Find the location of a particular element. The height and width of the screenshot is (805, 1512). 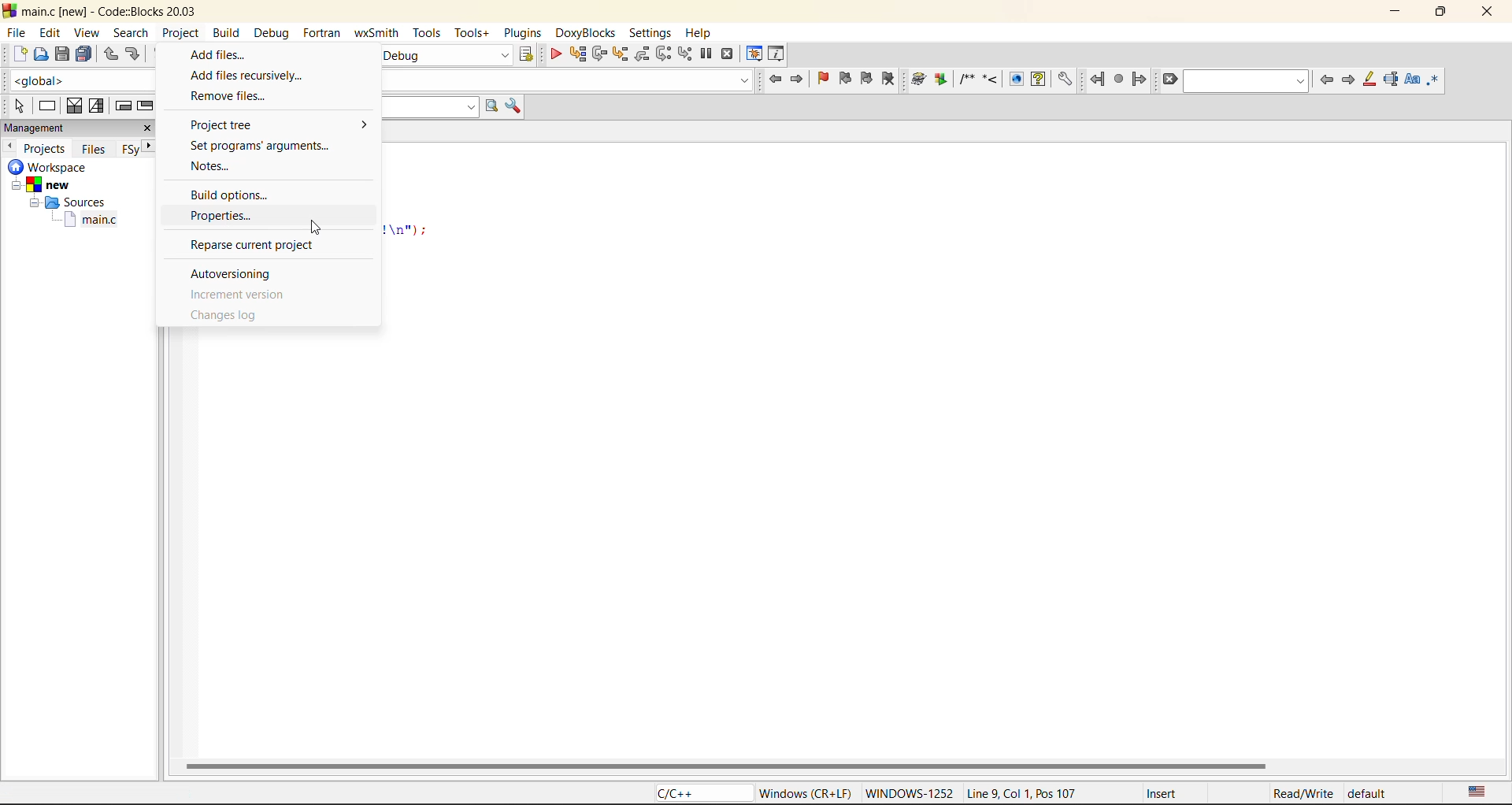

cursor is located at coordinates (313, 225).